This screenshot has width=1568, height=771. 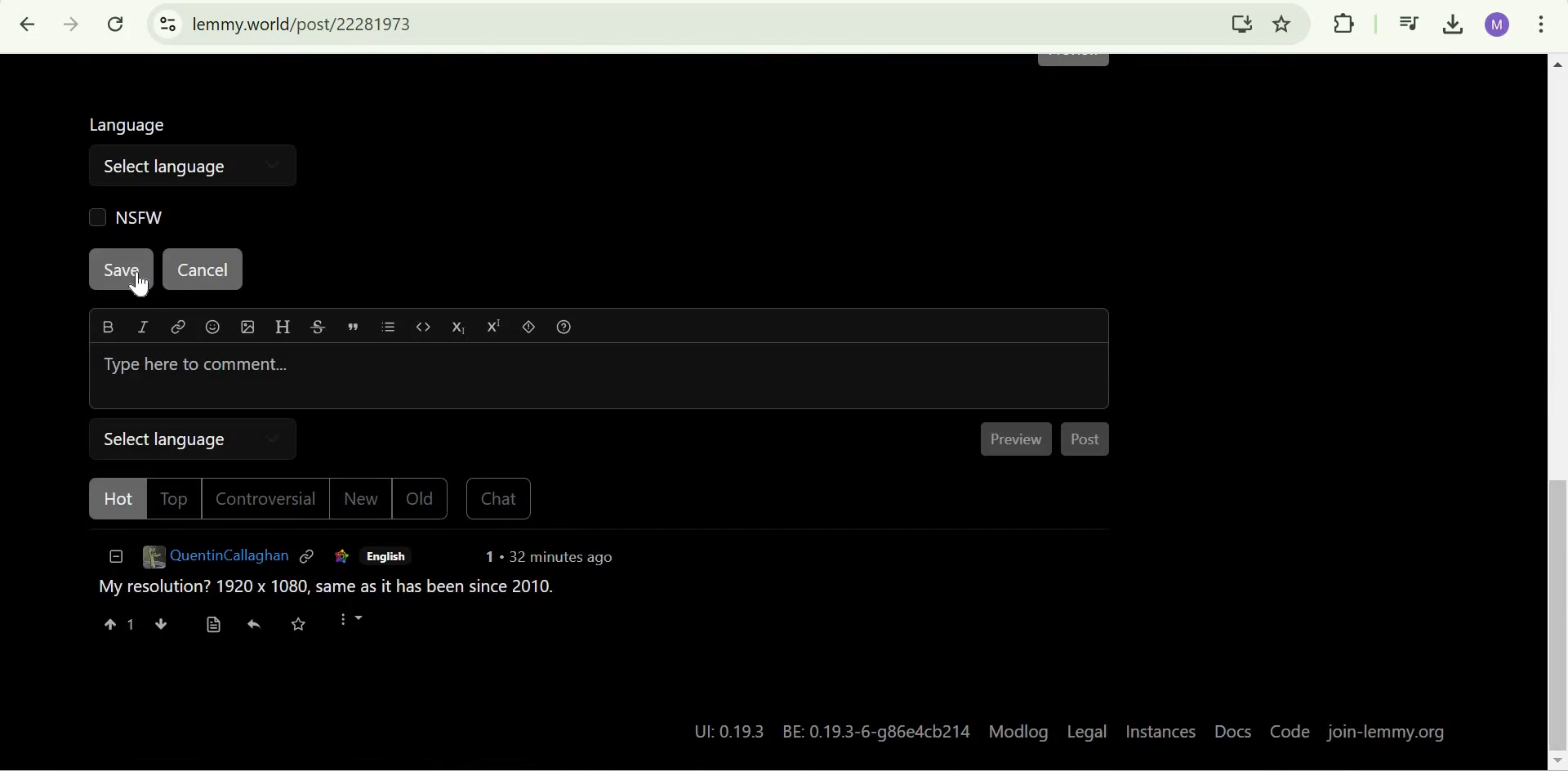 I want to click on instances, so click(x=1161, y=733).